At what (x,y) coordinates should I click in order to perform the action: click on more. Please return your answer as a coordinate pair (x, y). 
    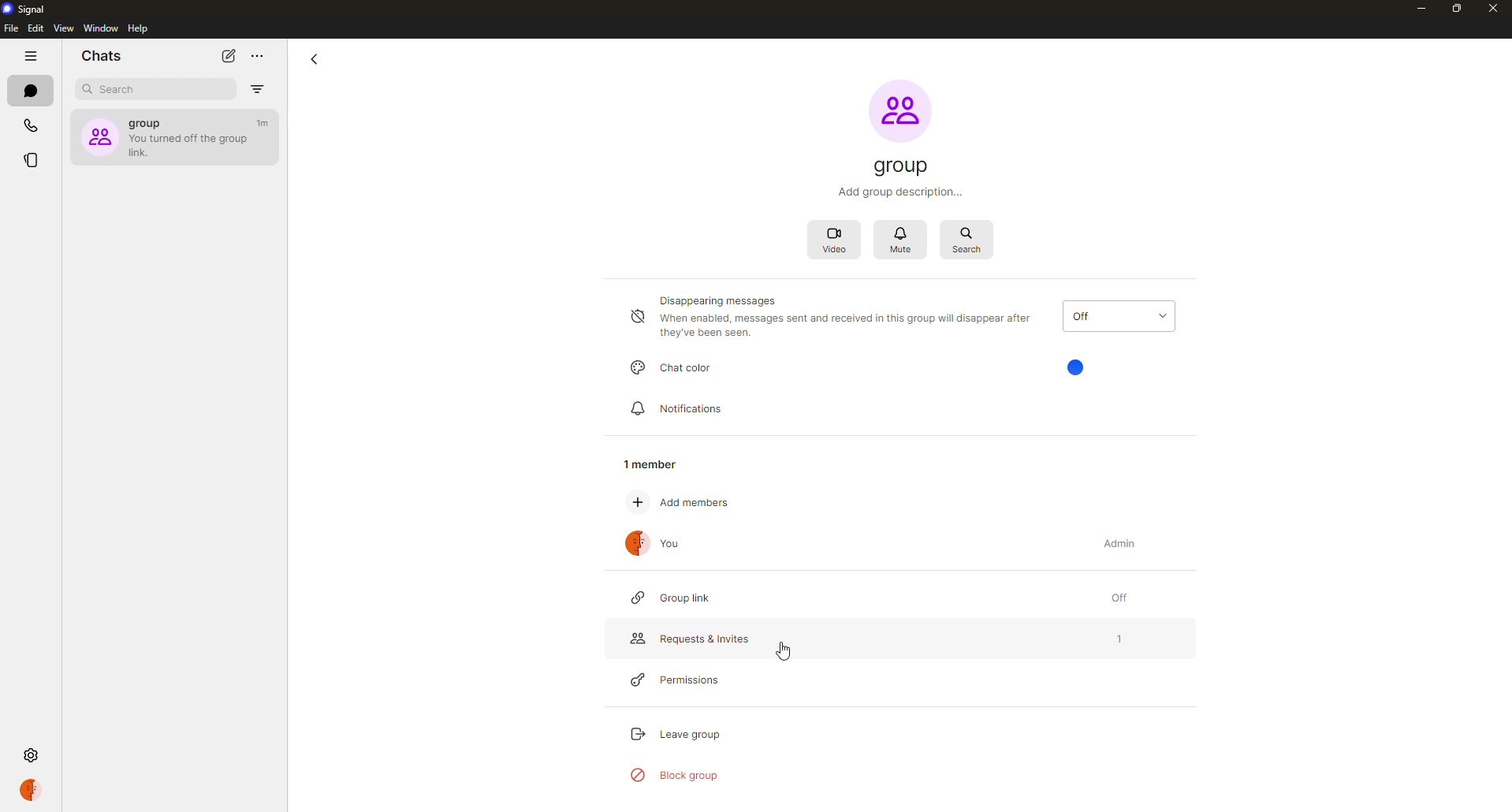
    Looking at the image, I should click on (258, 56).